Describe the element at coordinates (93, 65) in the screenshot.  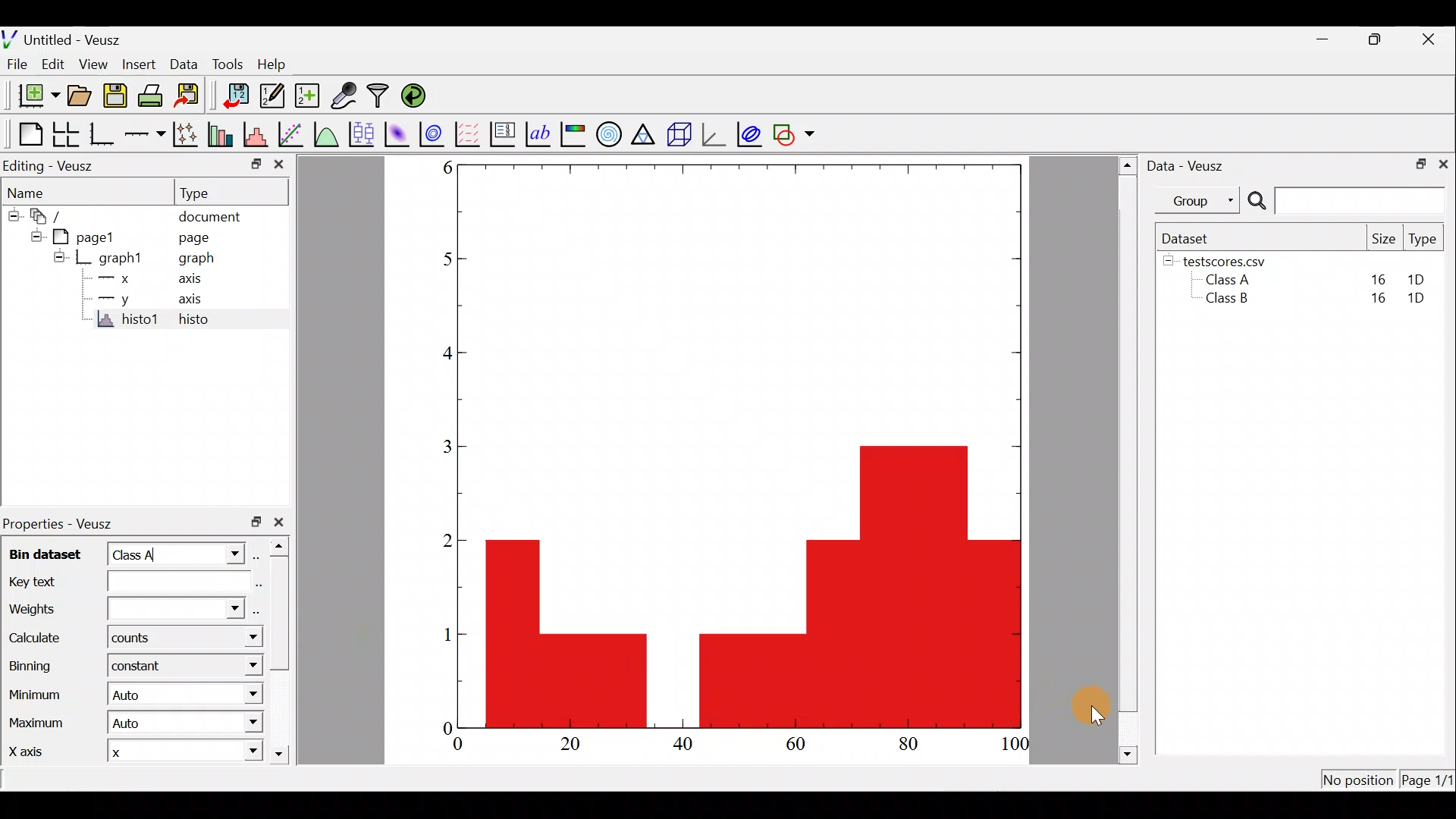
I see `View` at that location.